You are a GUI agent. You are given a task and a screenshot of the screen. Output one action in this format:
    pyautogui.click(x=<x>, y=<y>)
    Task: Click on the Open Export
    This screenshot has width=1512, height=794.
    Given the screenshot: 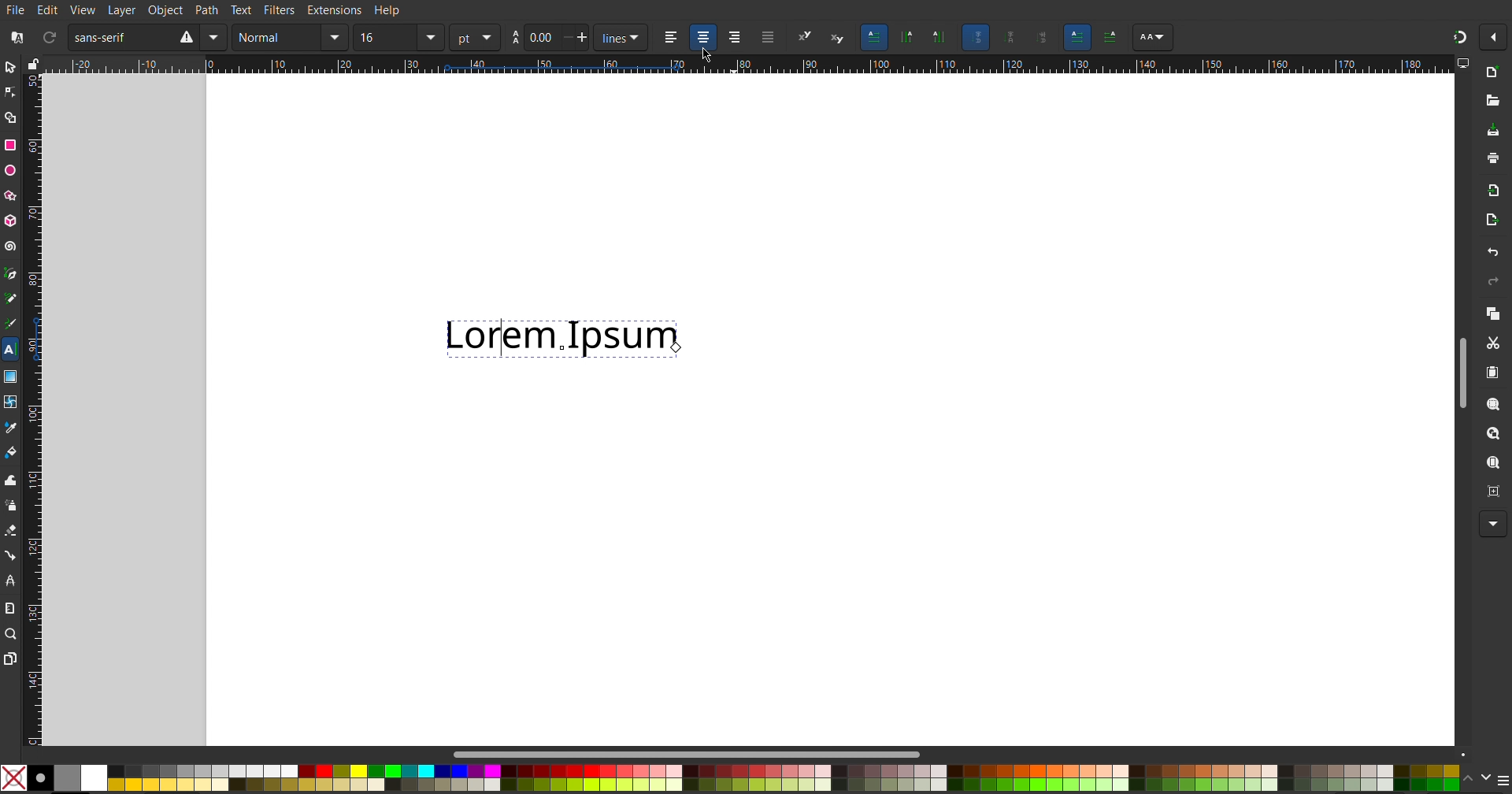 What is the action you would take?
    pyautogui.click(x=1492, y=220)
    